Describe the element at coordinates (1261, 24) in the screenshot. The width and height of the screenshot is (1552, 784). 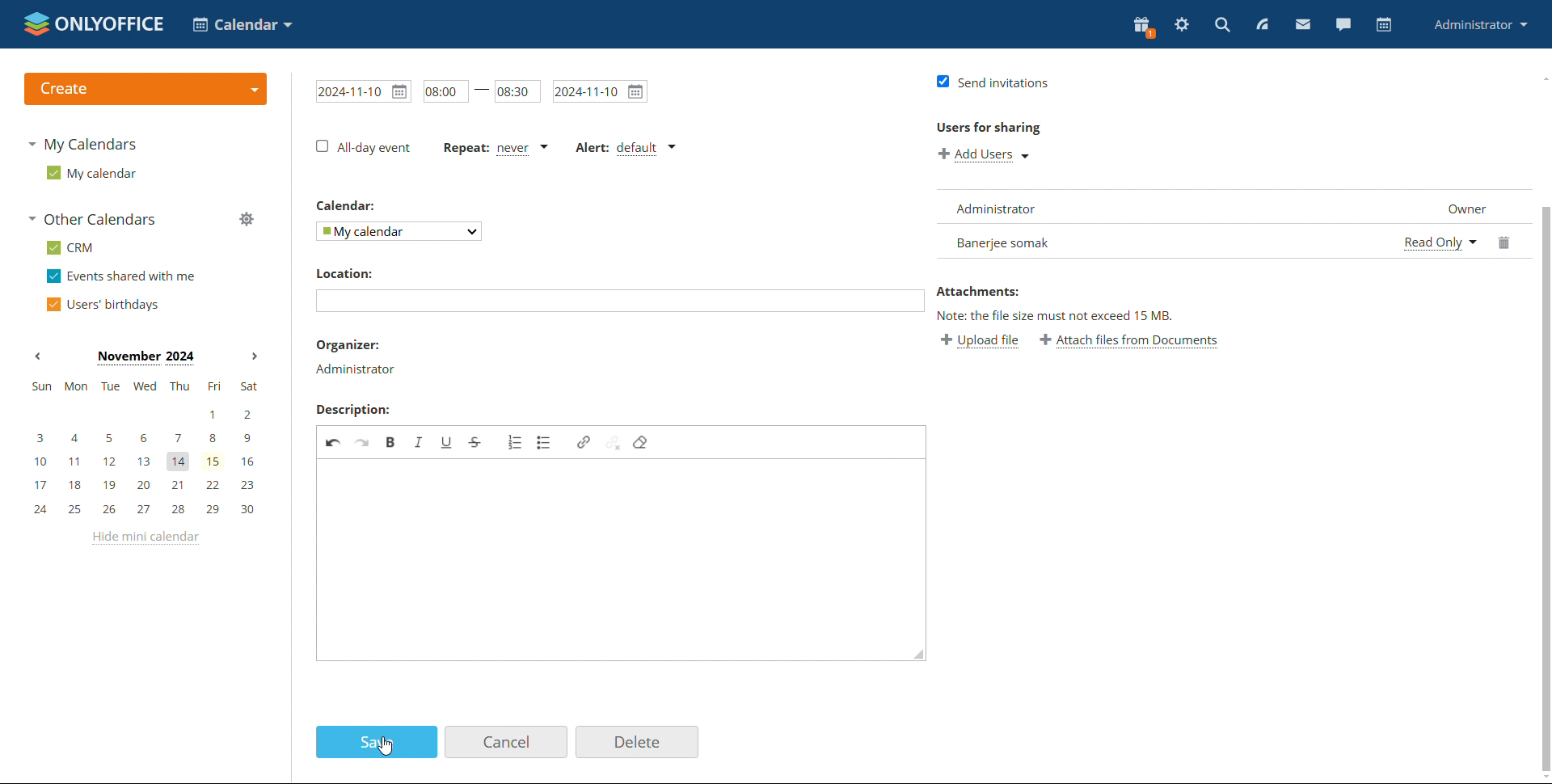
I see `feed` at that location.